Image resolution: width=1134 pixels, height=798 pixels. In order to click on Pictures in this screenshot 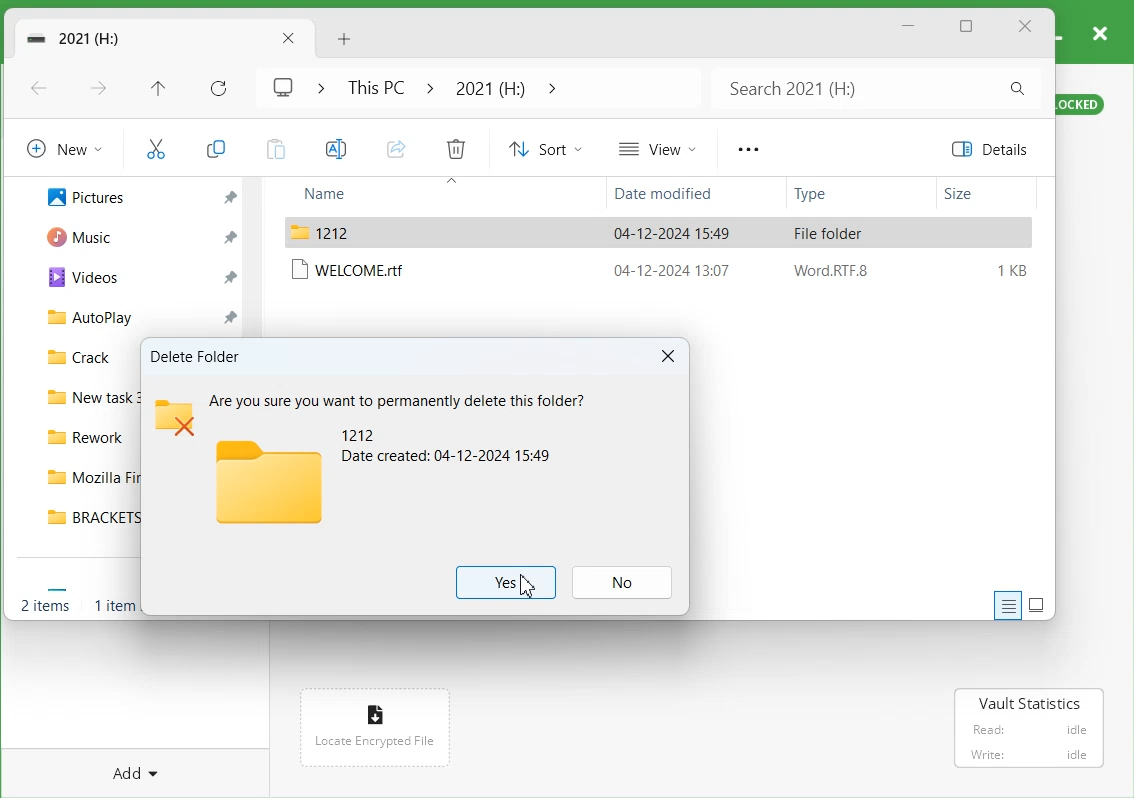, I will do `click(87, 197)`.